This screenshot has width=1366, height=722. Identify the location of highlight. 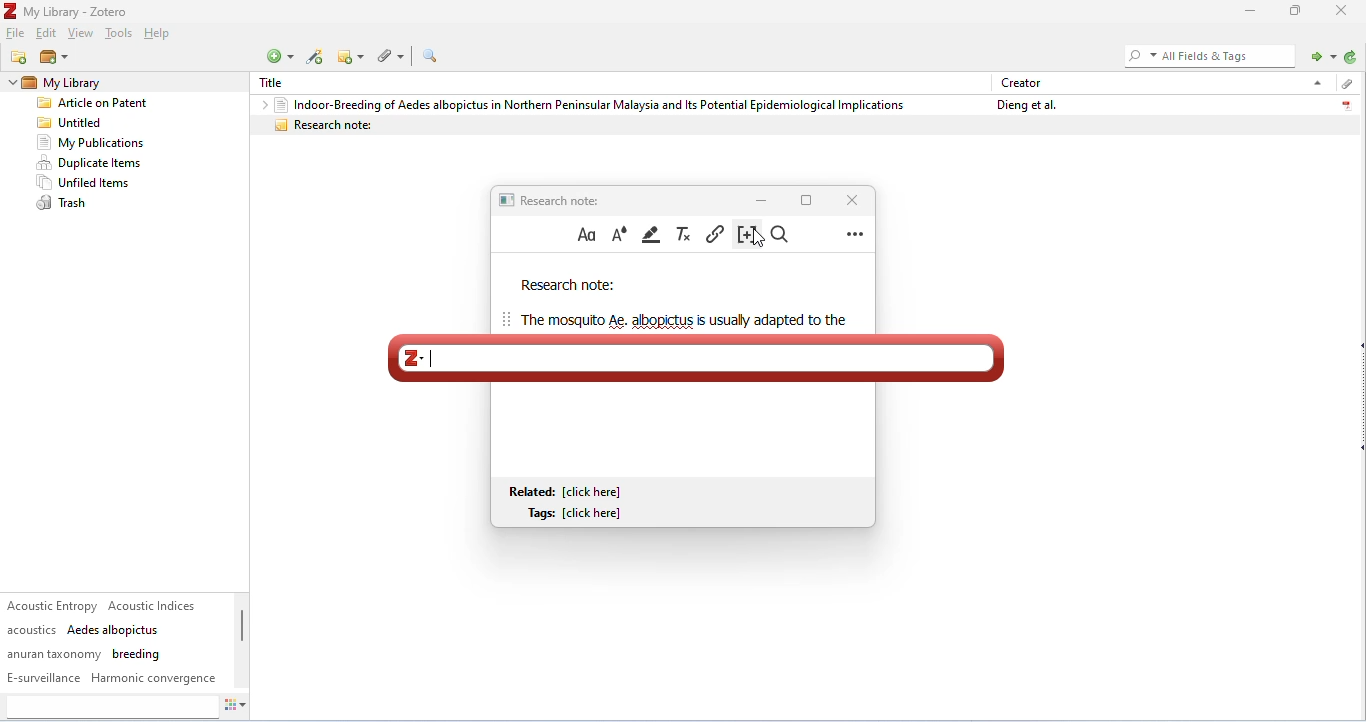
(653, 234).